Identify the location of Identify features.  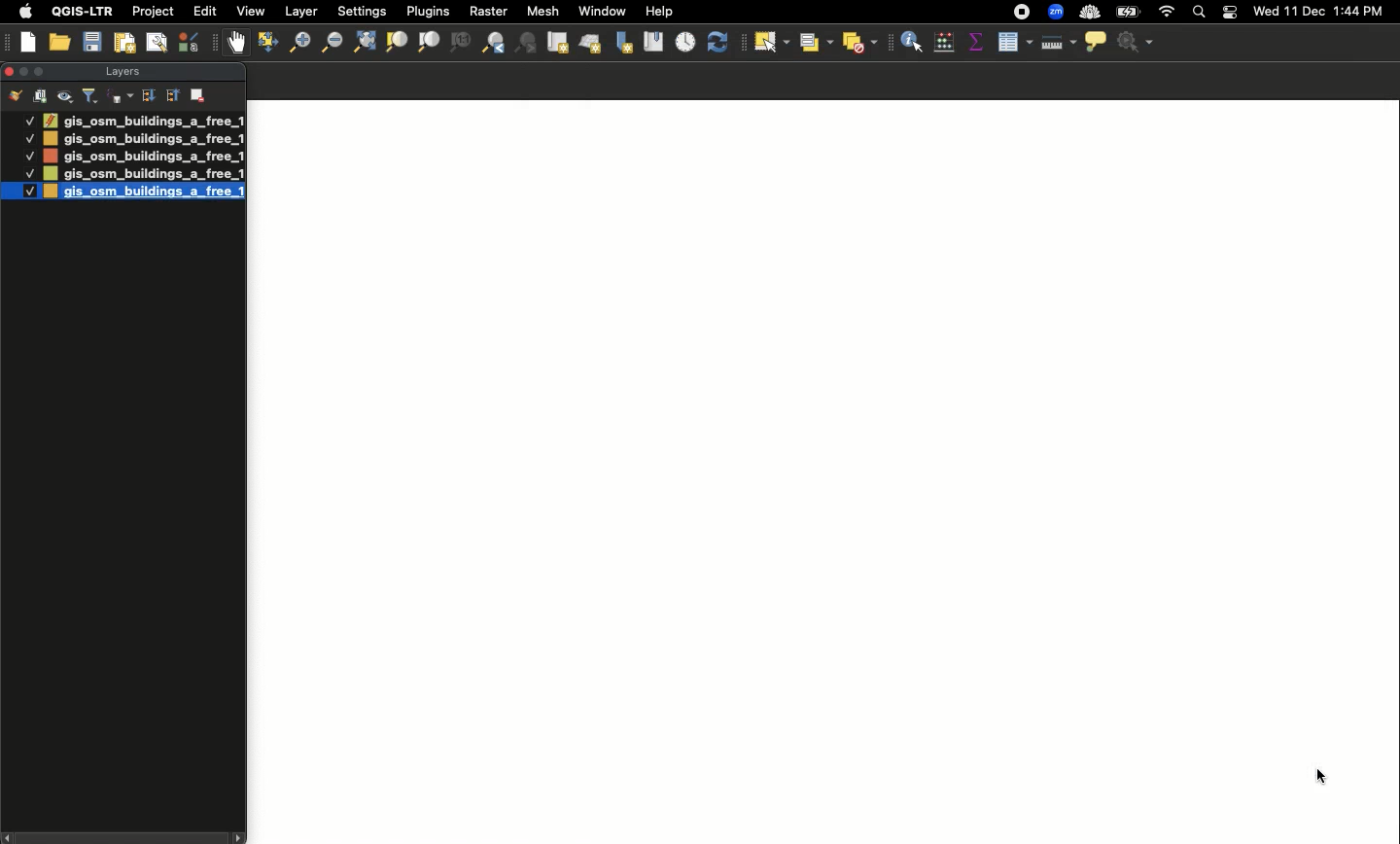
(912, 40).